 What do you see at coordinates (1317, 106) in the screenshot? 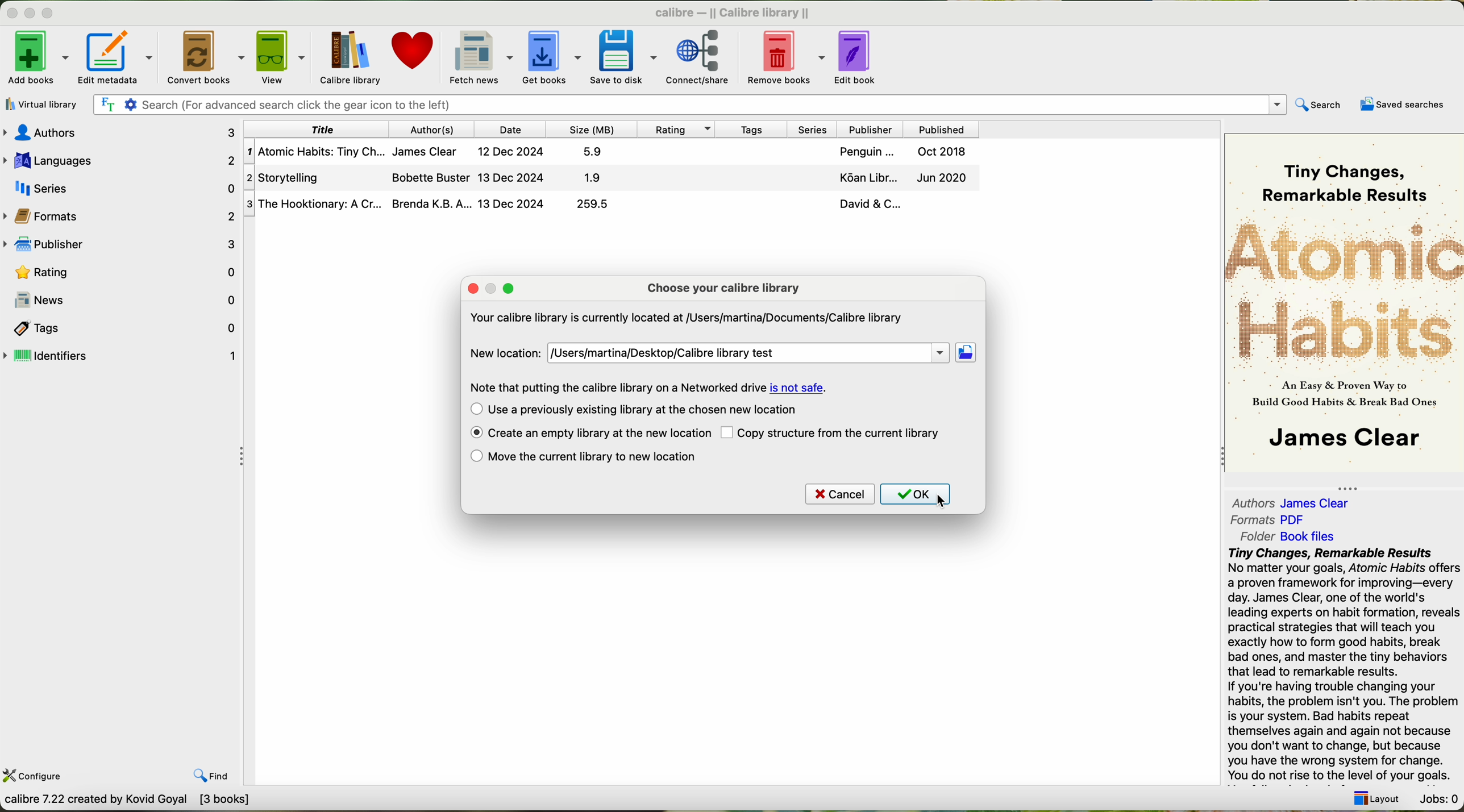
I see `search` at bounding box center [1317, 106].